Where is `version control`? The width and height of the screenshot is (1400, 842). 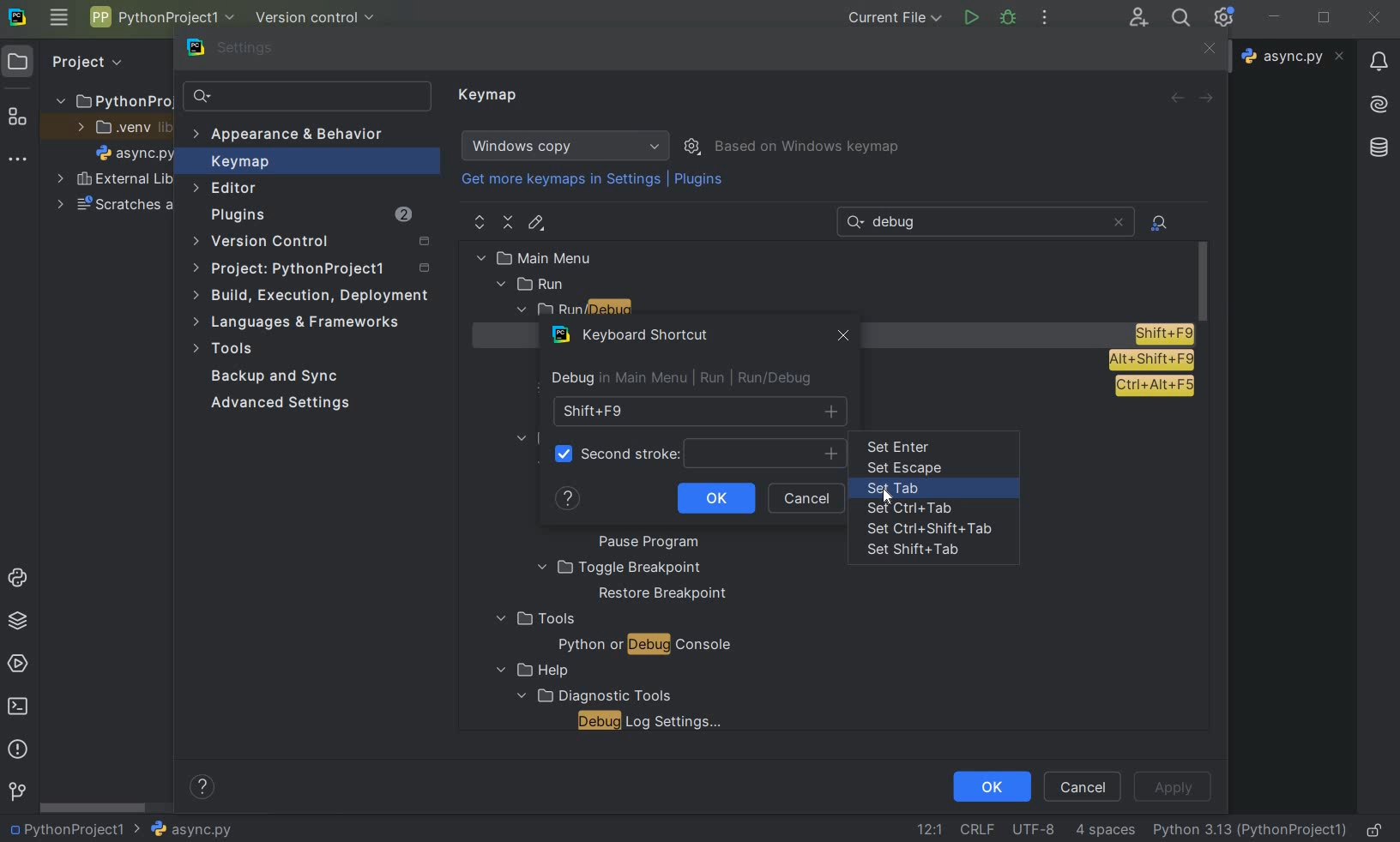 version control is located at coordinates (317, 243).